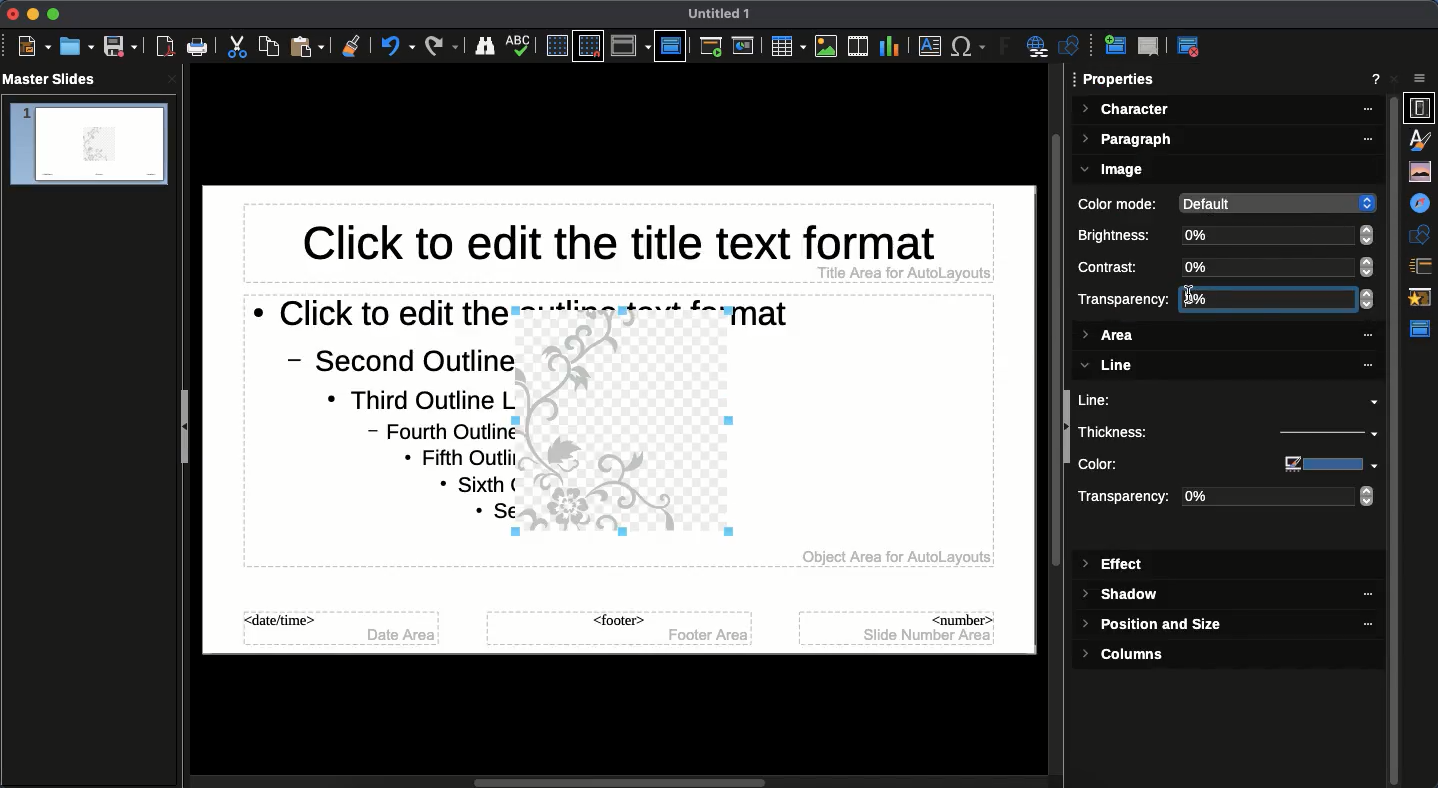 This screenshot has width=1438, height=788. What do you see at coordinates (75, 46) in the screenshot?
I see `Open` at bounding box center [75, 46].